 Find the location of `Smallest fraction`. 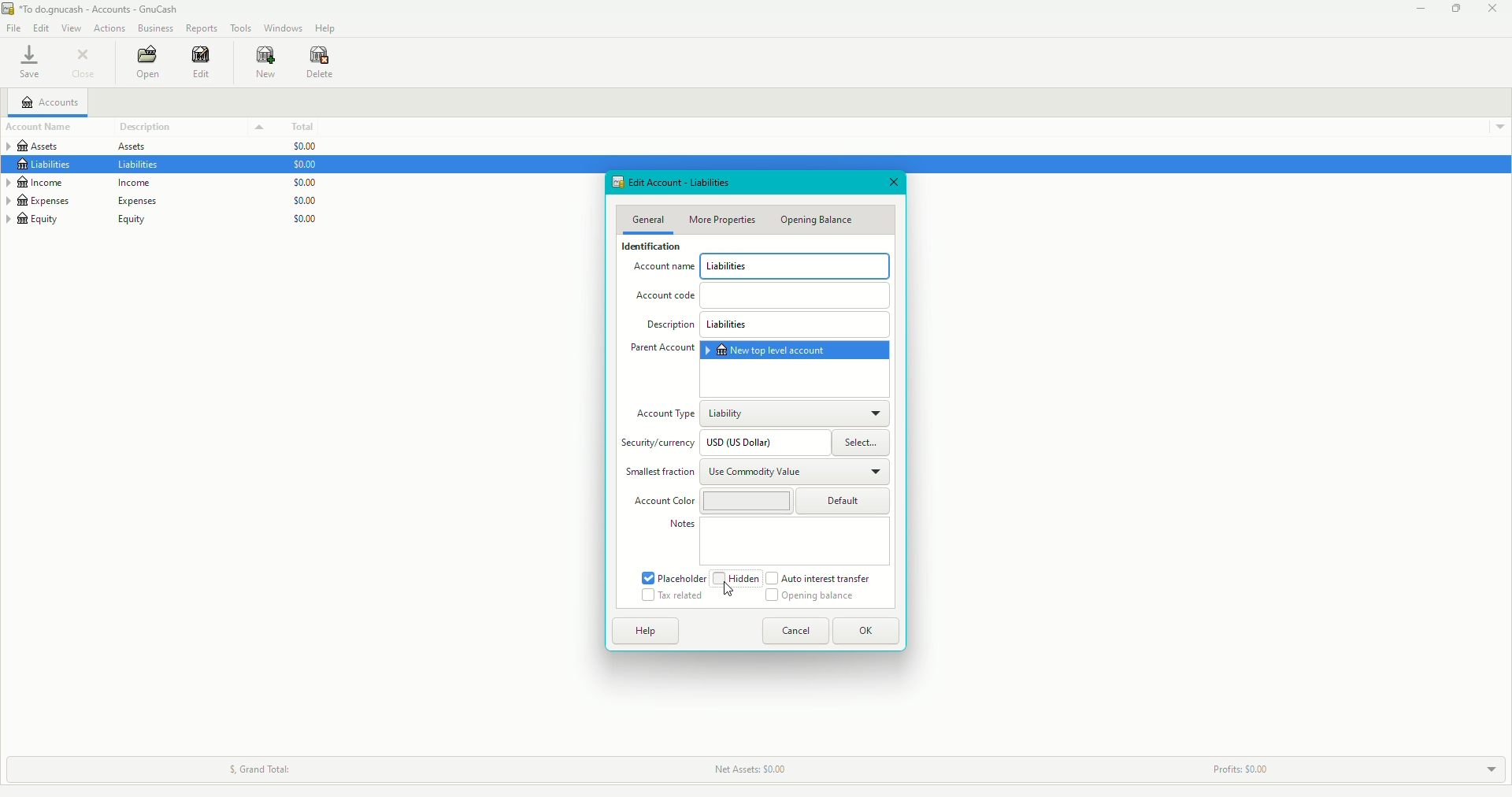

Smallest fraction is located at coordinates (659, 473).